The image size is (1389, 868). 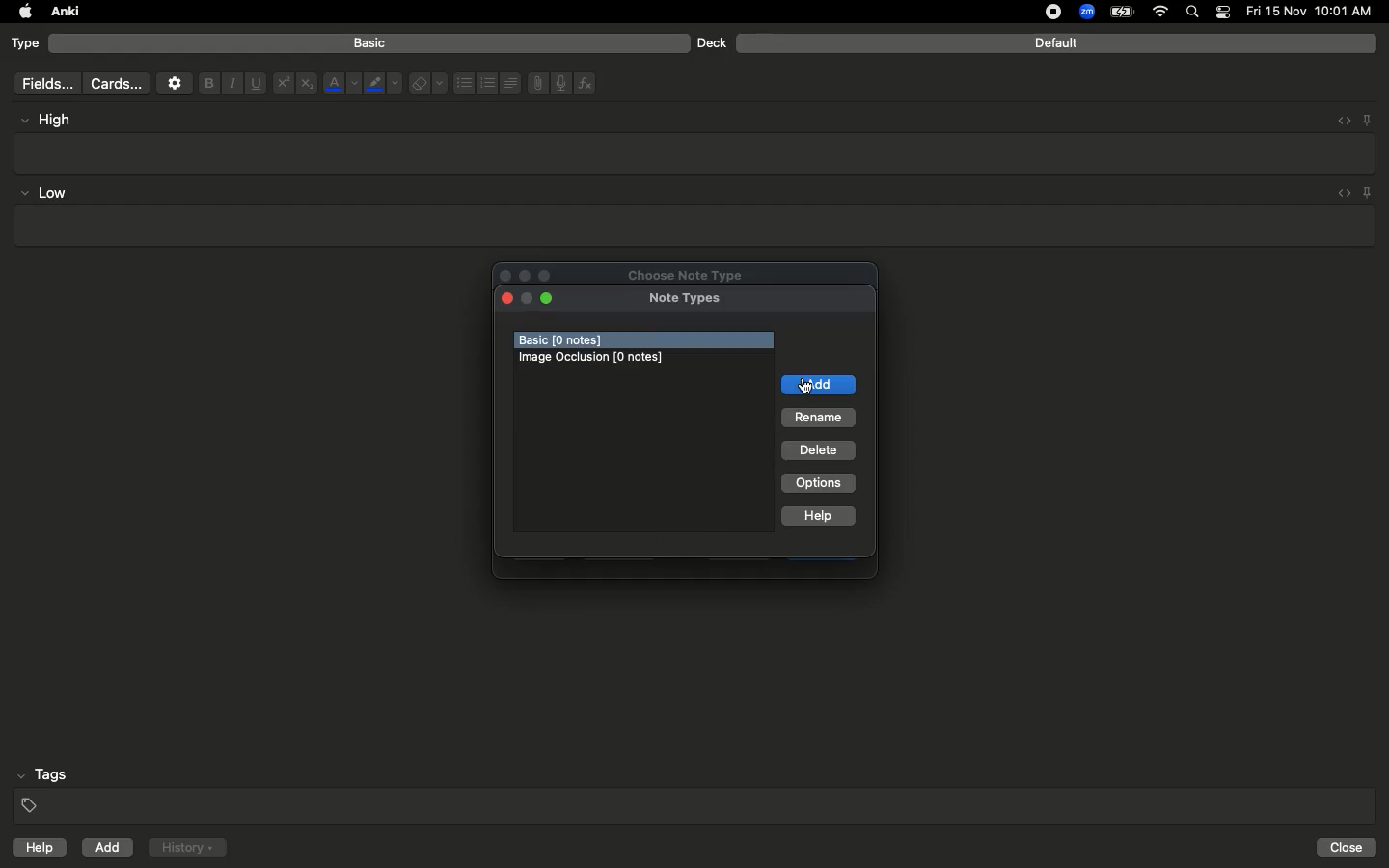 What do you see at coordinates (255, 84) in the screenshot?
I see `Underline` at bounding box center [255, 84].